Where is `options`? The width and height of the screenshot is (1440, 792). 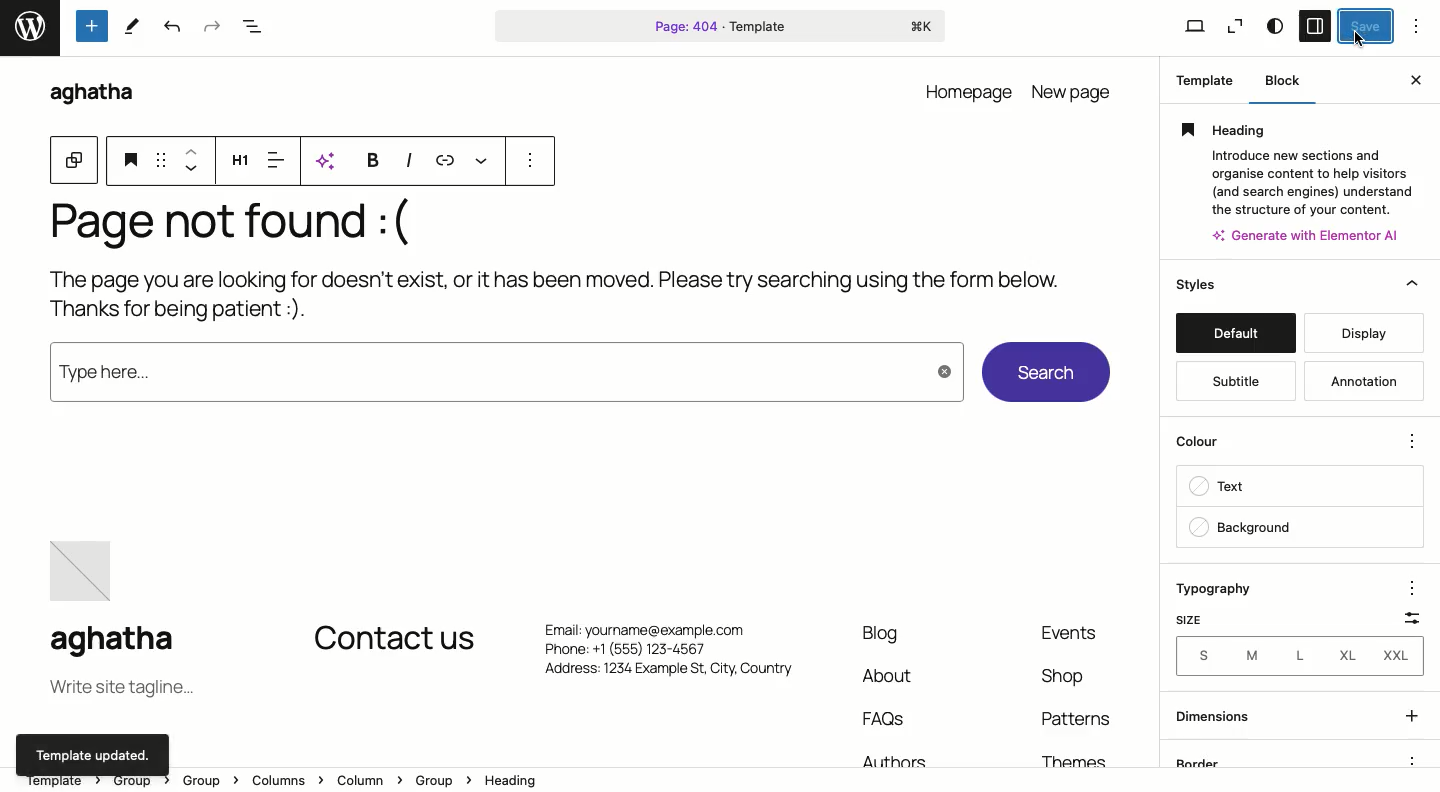
options is located at coordinates (531, 161).